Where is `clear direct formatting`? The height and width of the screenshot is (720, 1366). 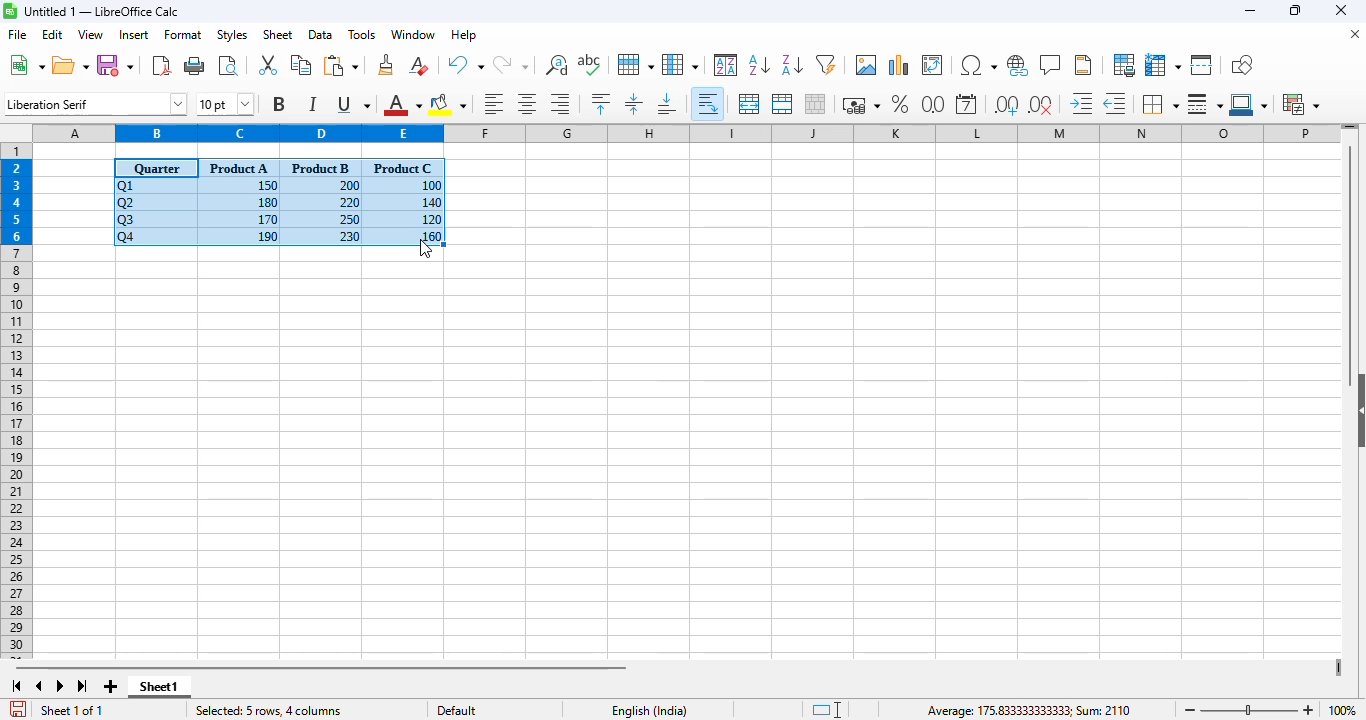
clear direct formatting is located at coordinates (419, 65).